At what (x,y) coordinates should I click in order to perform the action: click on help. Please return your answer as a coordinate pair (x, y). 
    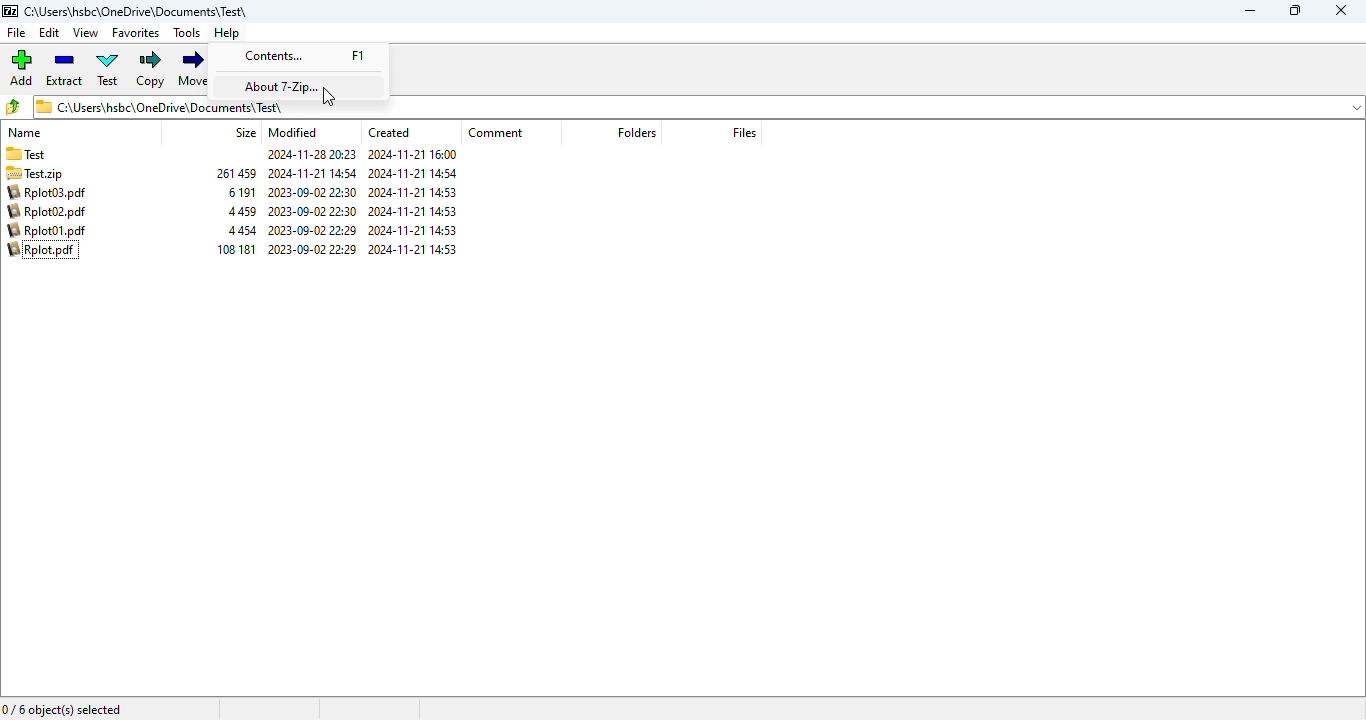
    Looking at the image, I should click on (227, 33).